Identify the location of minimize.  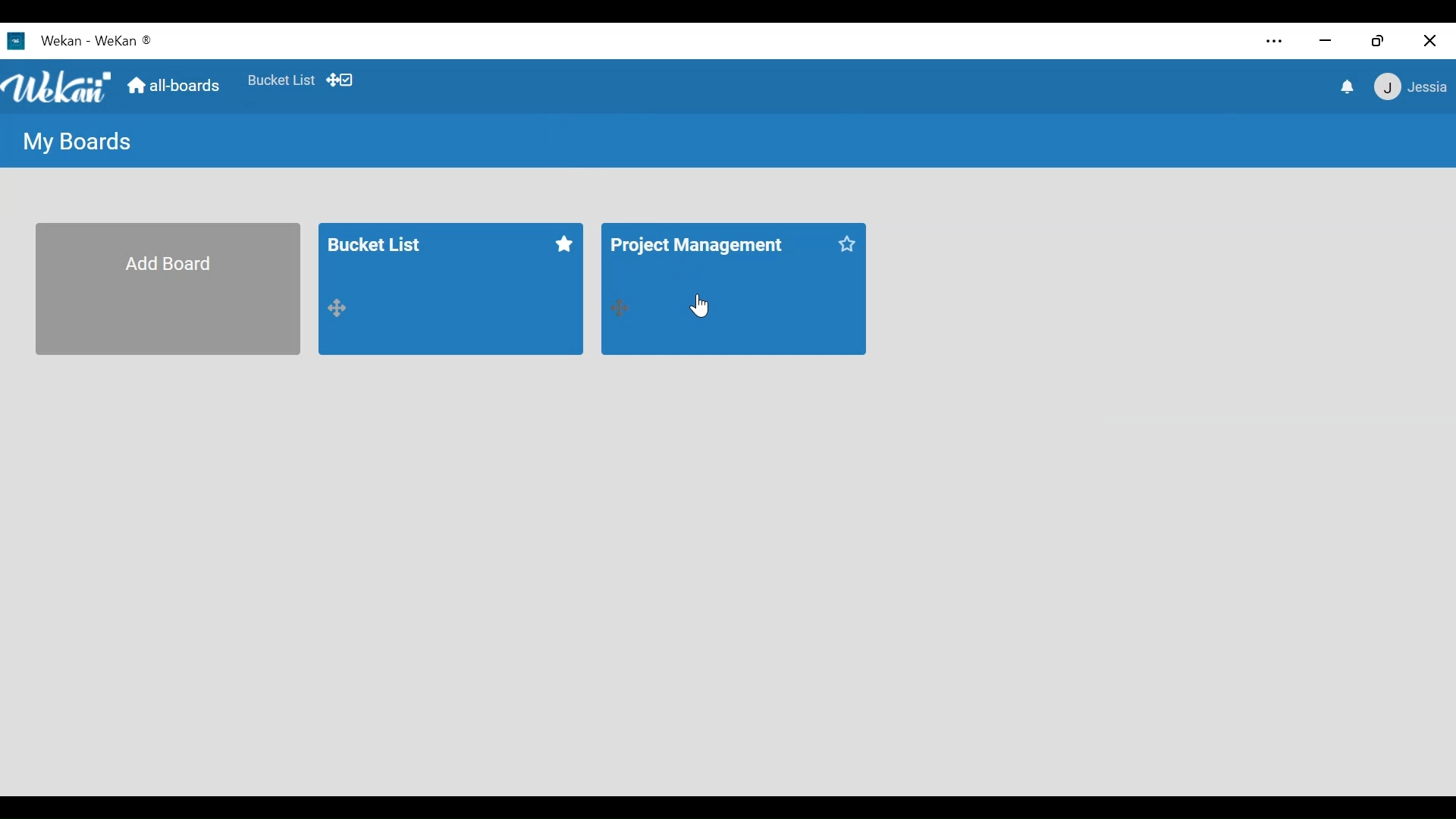
(1325, 42).